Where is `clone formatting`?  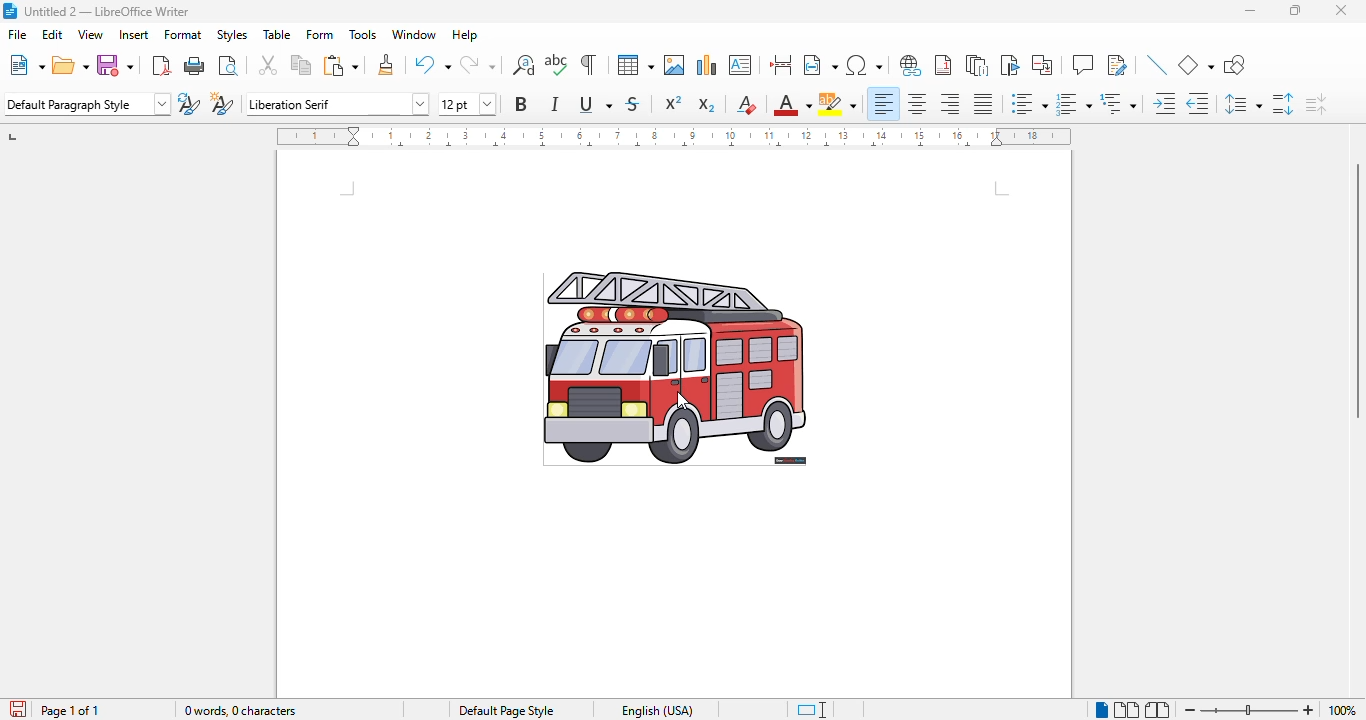 clone formatting is located at coordinates (386, 64).